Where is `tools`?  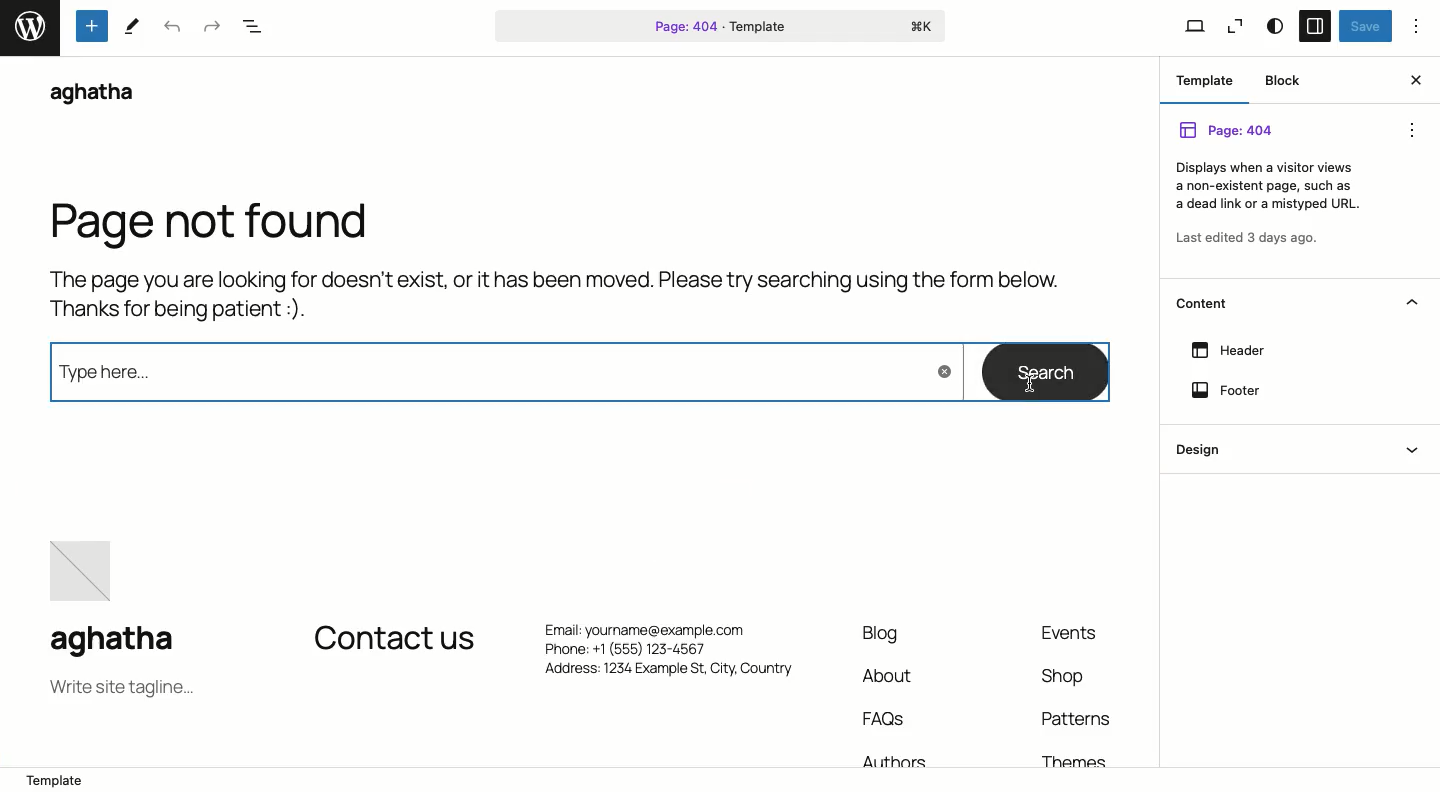
tools is located at coordinates (137, 25).